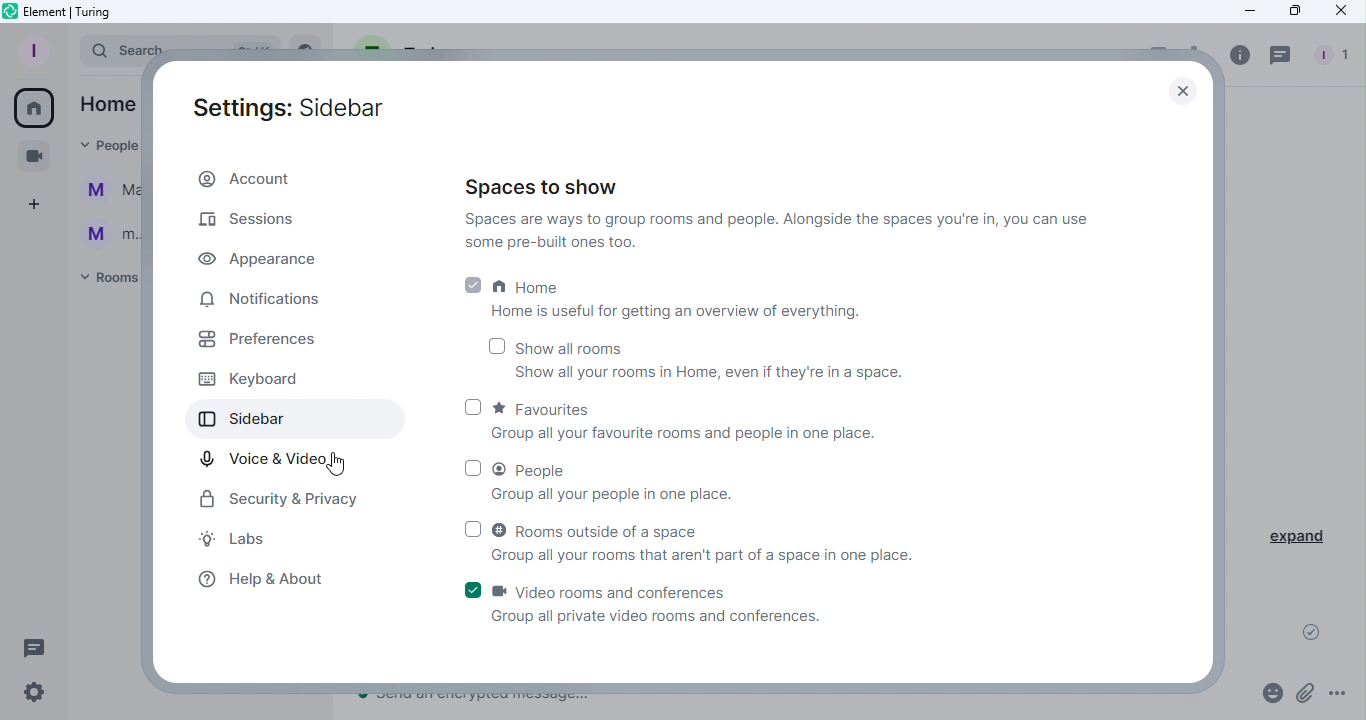 The height and width of the screenshot is (720, 1366). I want to click on Account, so click(253, 176).